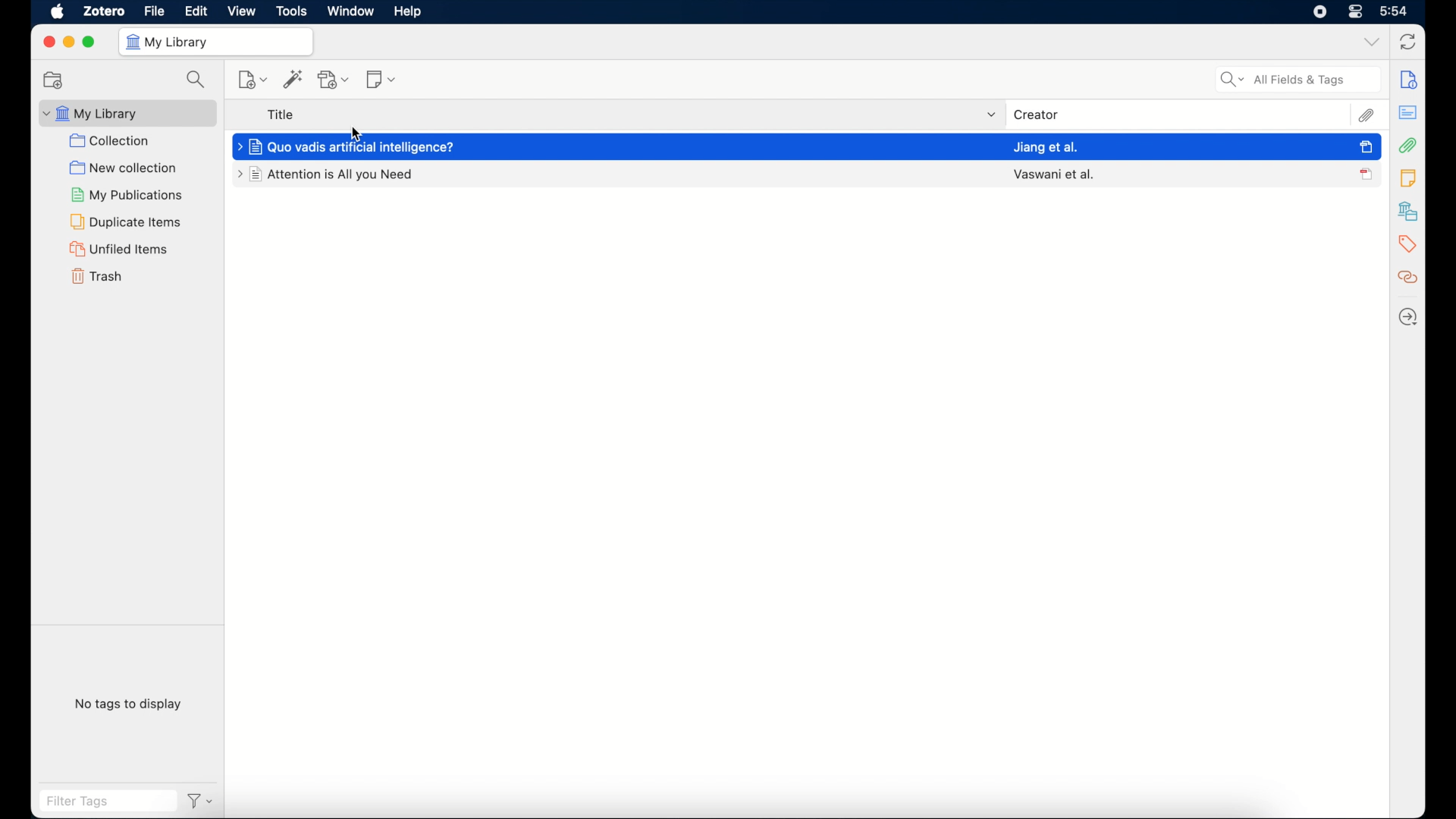 The width and height of the screenshot is (1456, 819). I want to click on created name, so click(1053, 174).